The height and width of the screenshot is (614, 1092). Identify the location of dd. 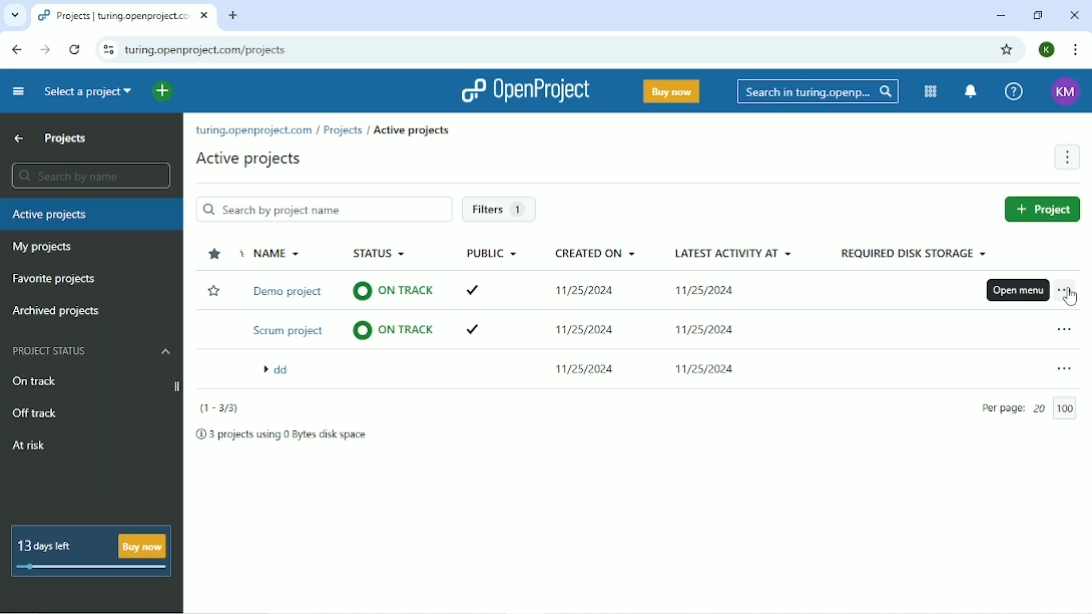
(283, 371).